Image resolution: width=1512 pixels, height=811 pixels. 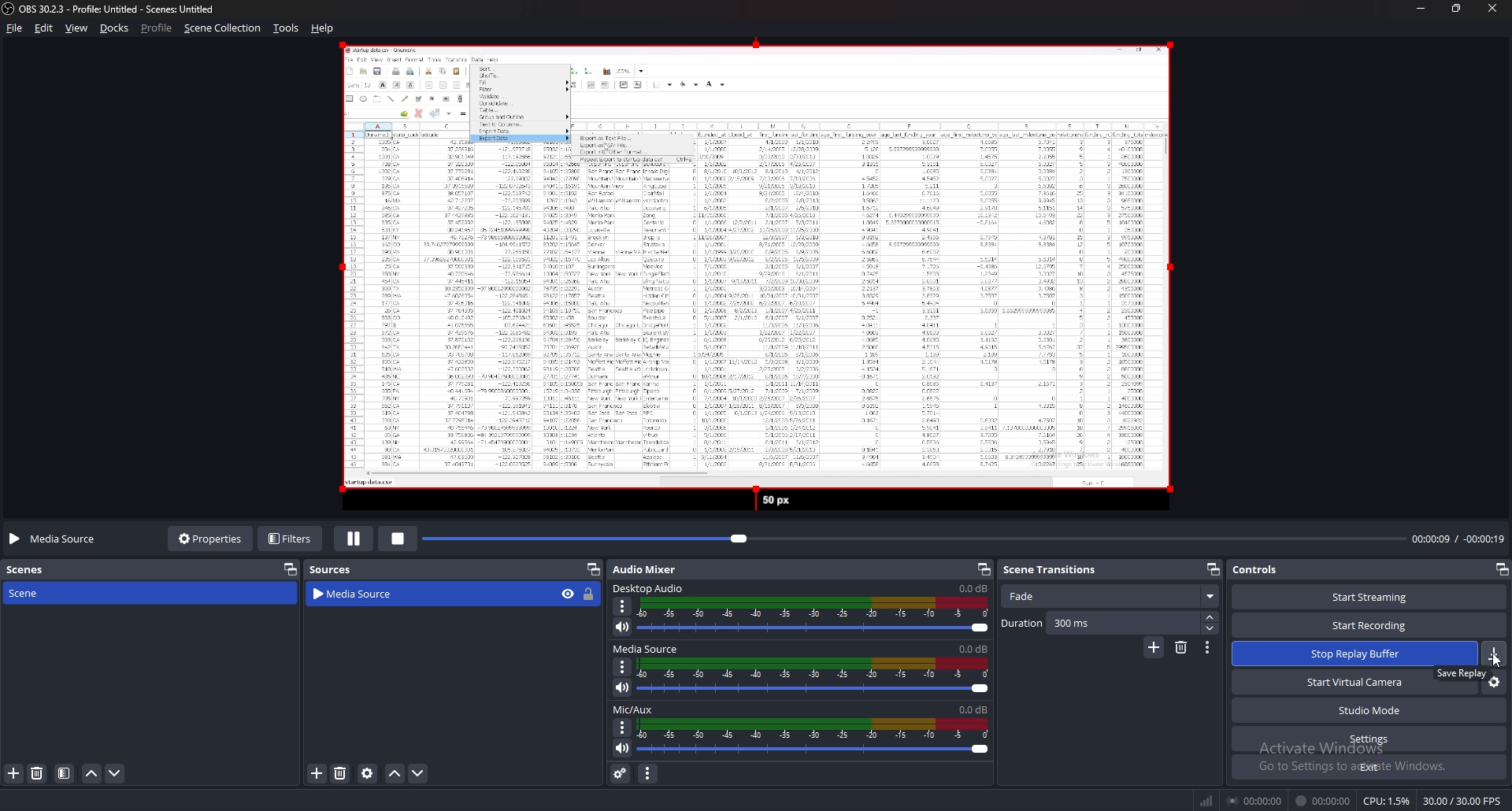 What do you see at coordinates (648, 649) in the screenshot?
I see `media source` at bounding box center [648, 649].